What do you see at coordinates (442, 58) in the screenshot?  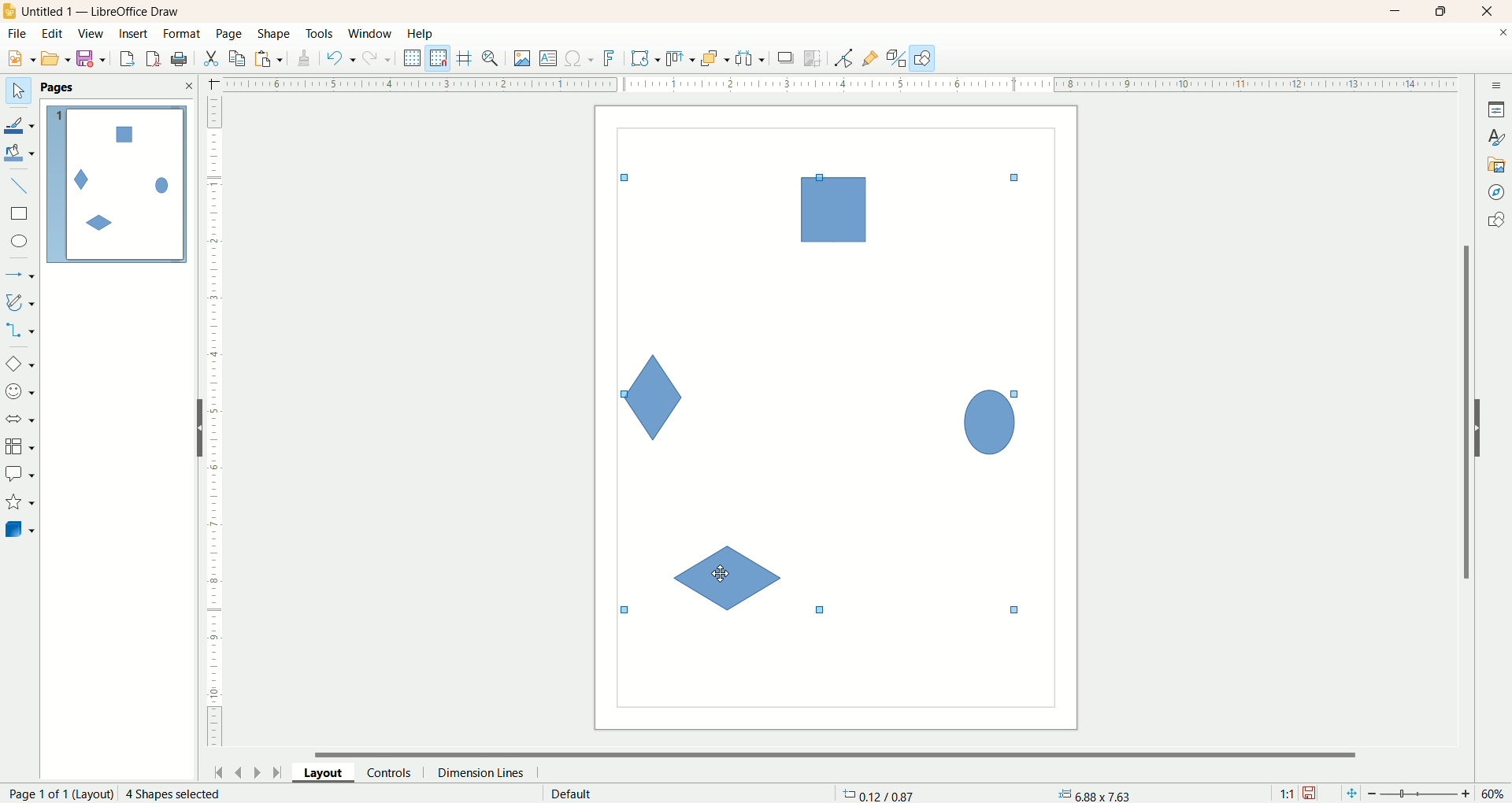 I see `snap to grid` at bounding box center [442, 58].